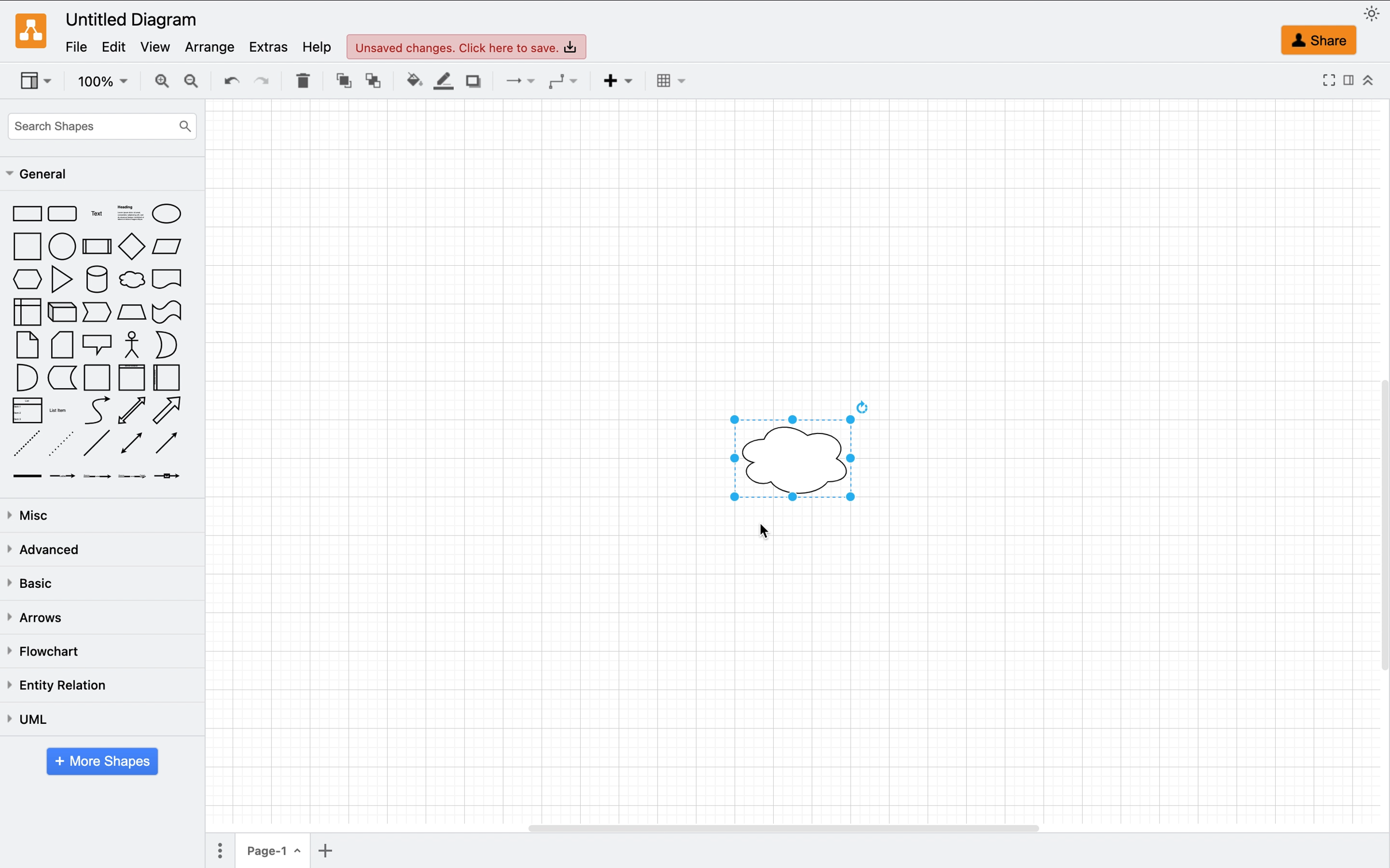 The height and width of the screenshot is (868, 1390). I want to click on line color, so click(442, 83).